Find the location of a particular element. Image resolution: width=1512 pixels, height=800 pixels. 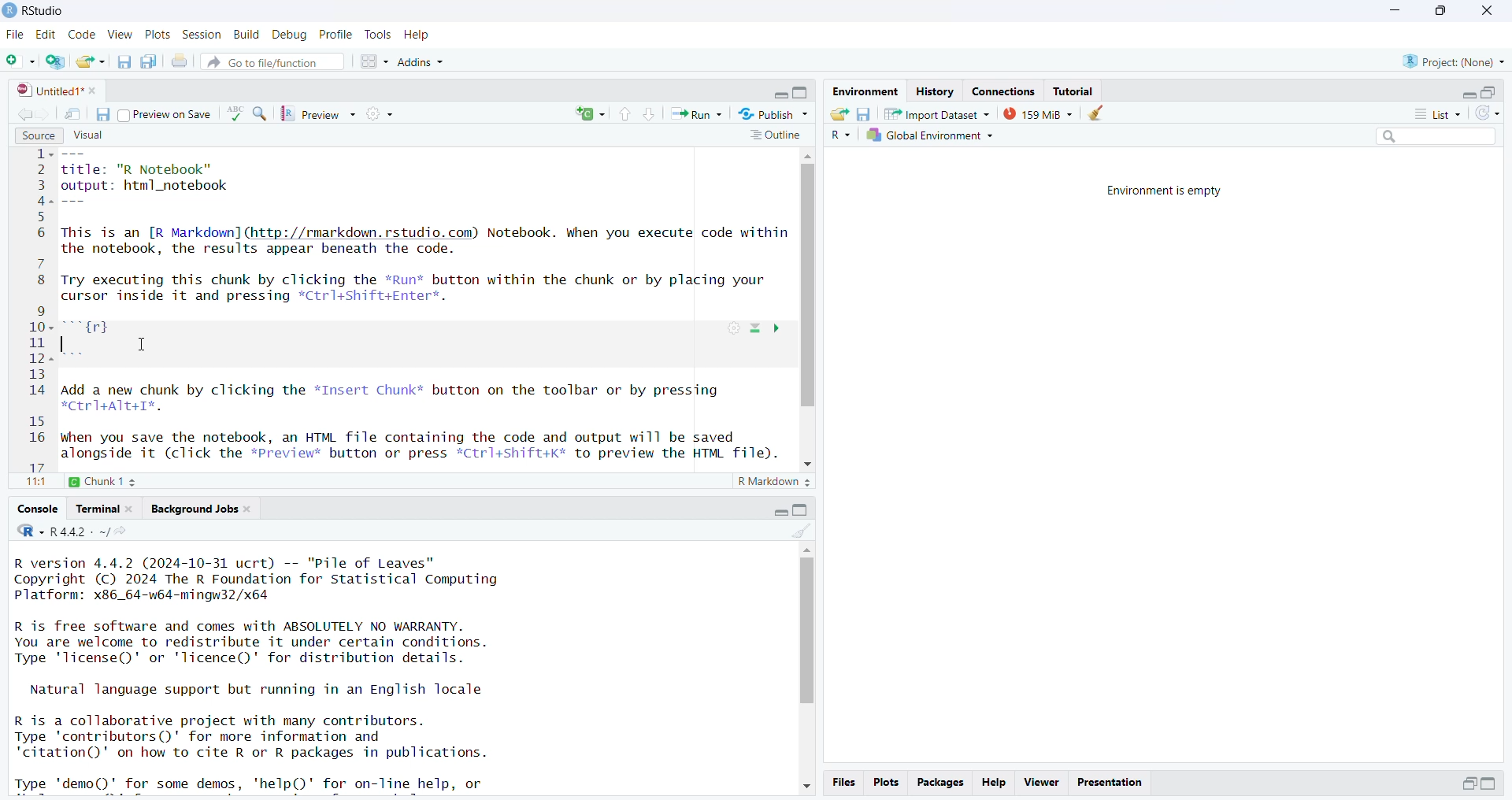

project(None) is located at coordinates (1453, 62).